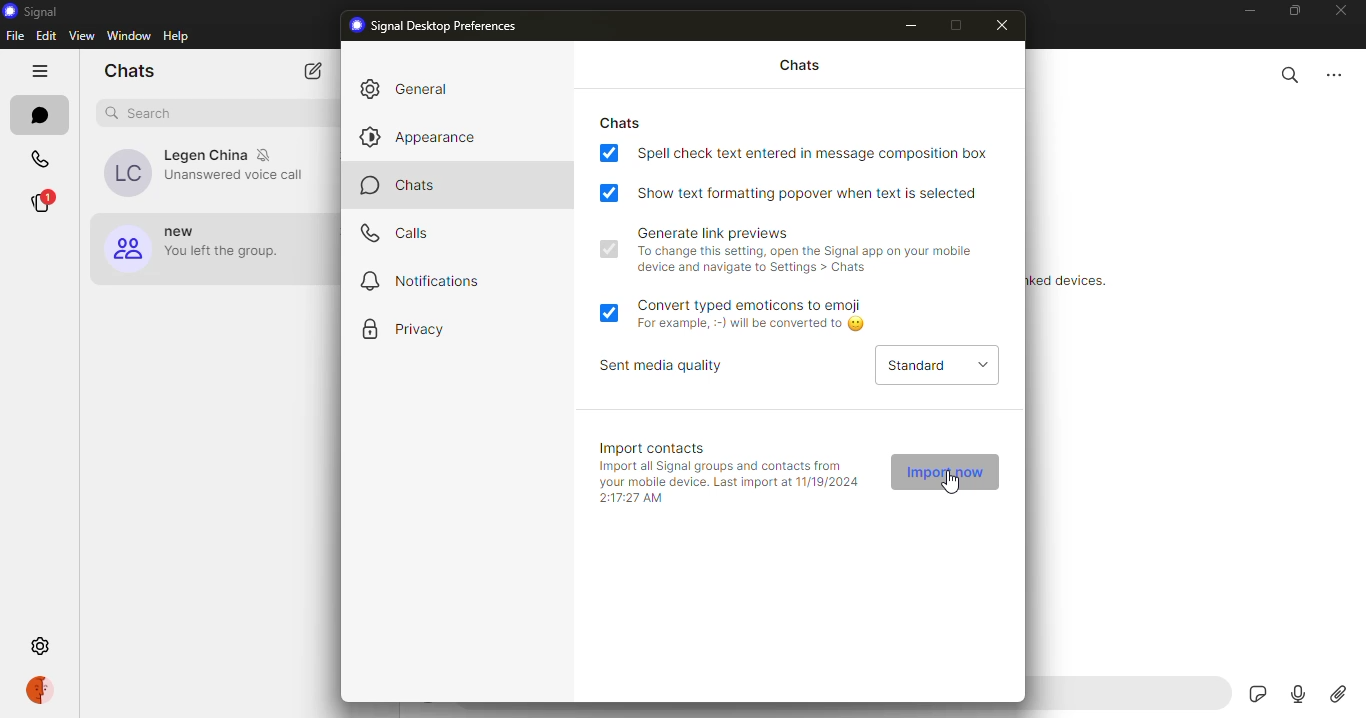 The width and height of the screenshot is (1366, 718). What do you see at coordinates (402, 231) in the screenshot?
I see `calls` at bounding box center [402, 231].